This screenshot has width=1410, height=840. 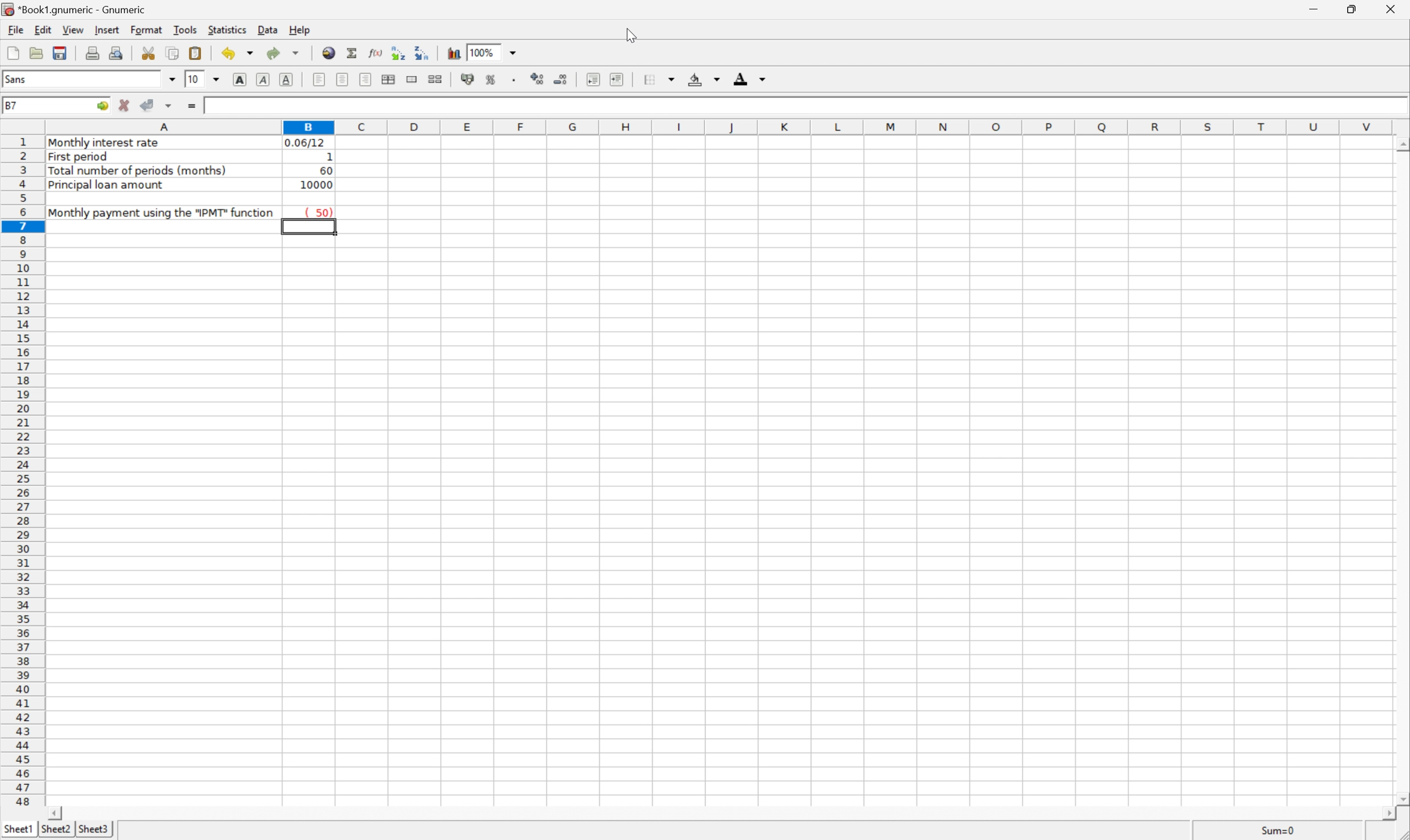 What do you see at coordinates (23, 474) in the screenshot?
I see `Row Numbers` at bounding box center [23, 474].